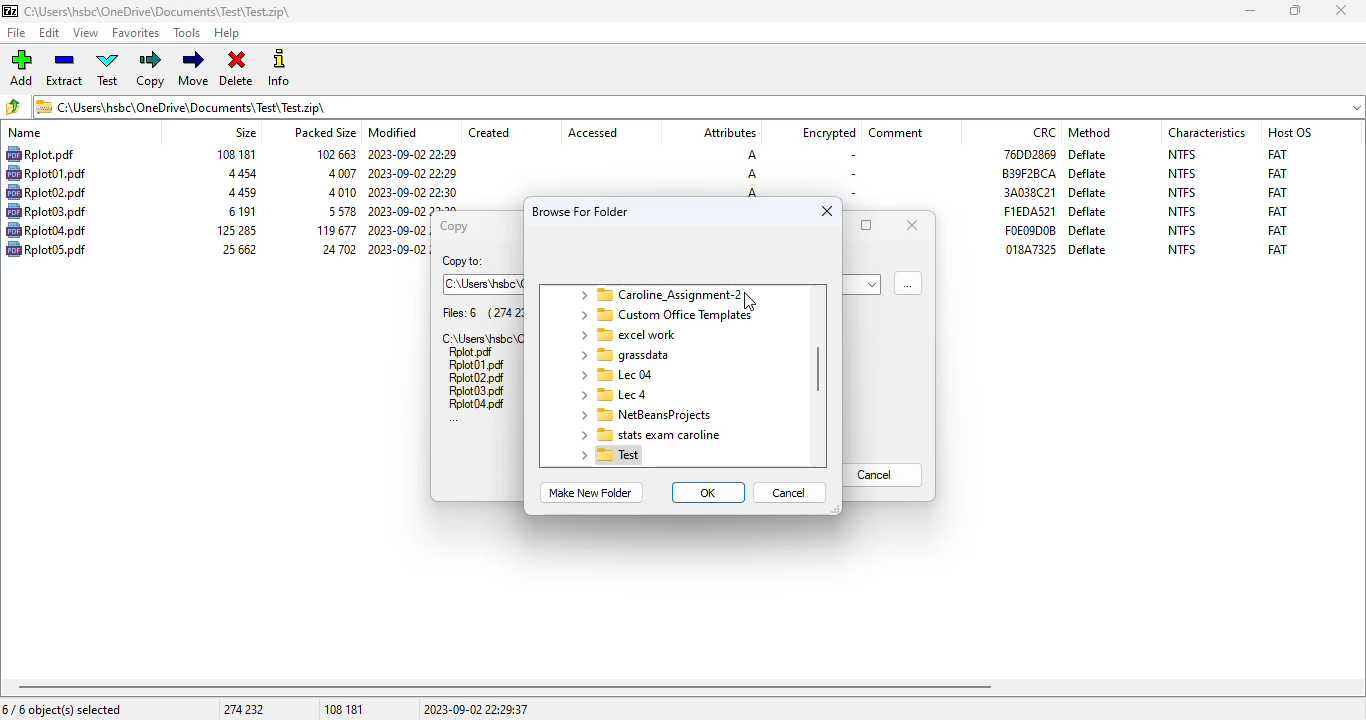 Image resolution: width=1366 pixels, height=720 pixels. I want to click on deflate, so click(1088, 174).